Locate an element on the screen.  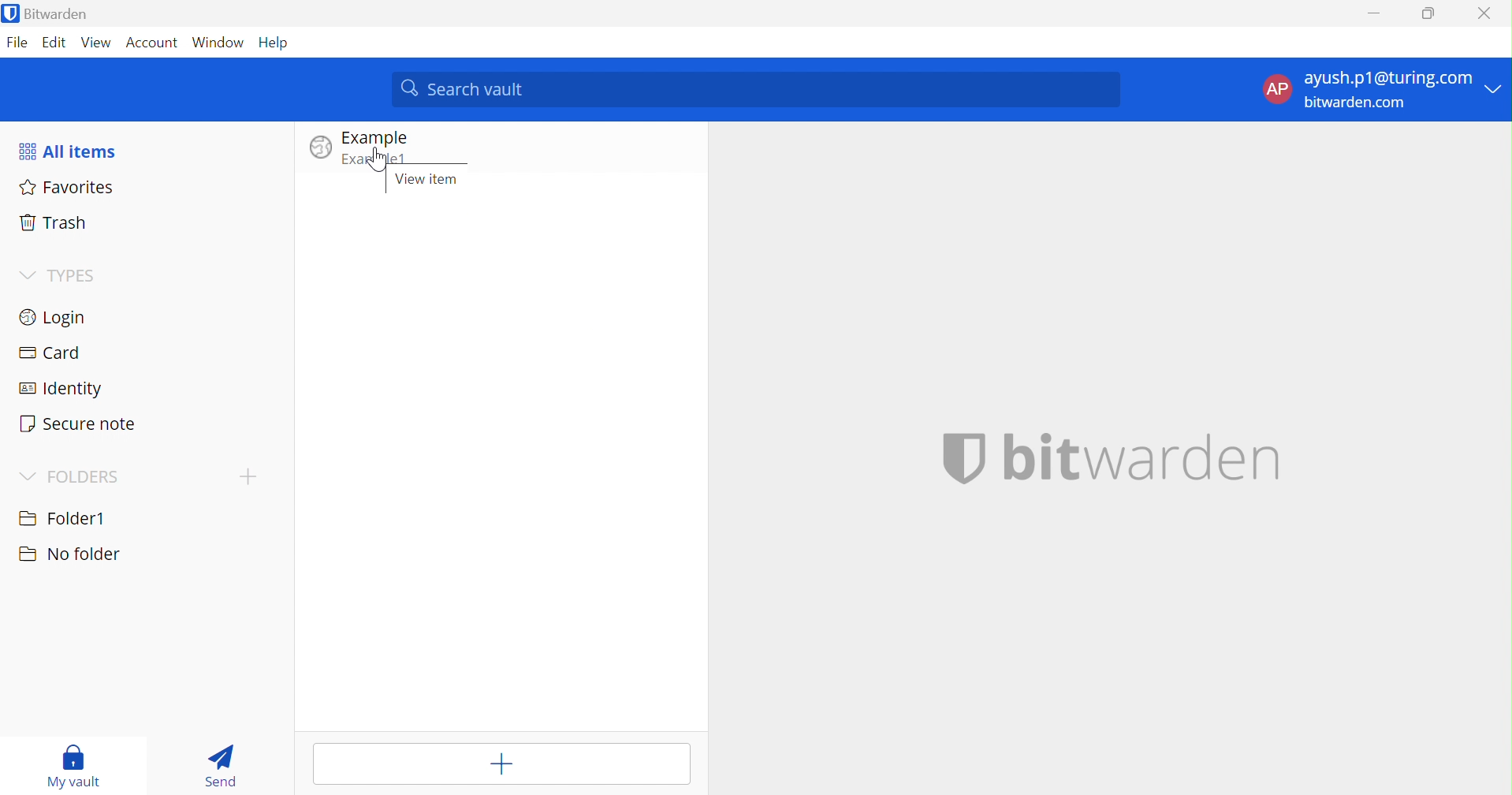
Close is located at coordinates (1490, 13).